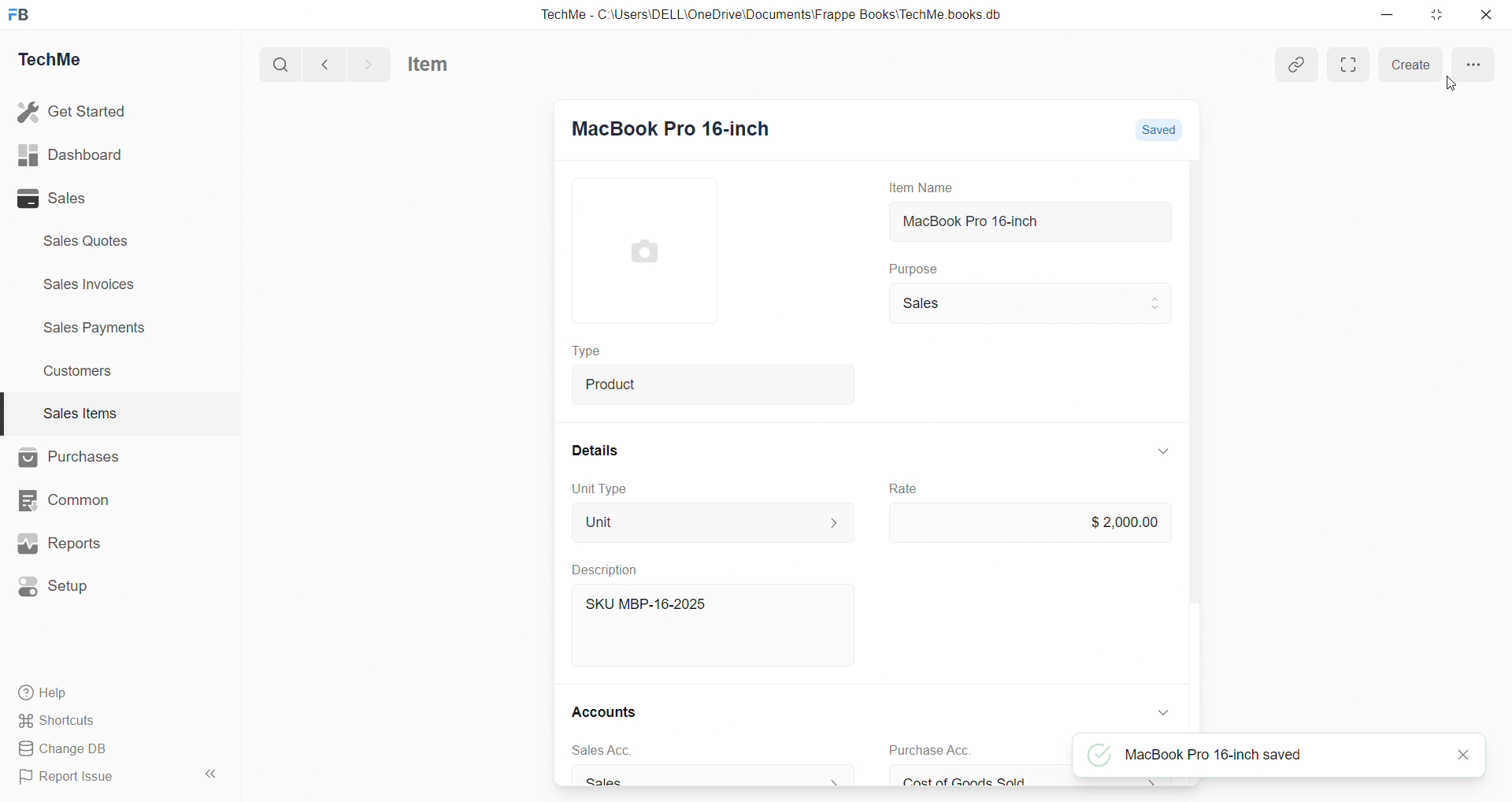 The height and width of the screenshot is (802, 1512). What do you see at coordinates (600, 751) in the screenshot?
I see `sales Acc` at bounding box center [600, 751].